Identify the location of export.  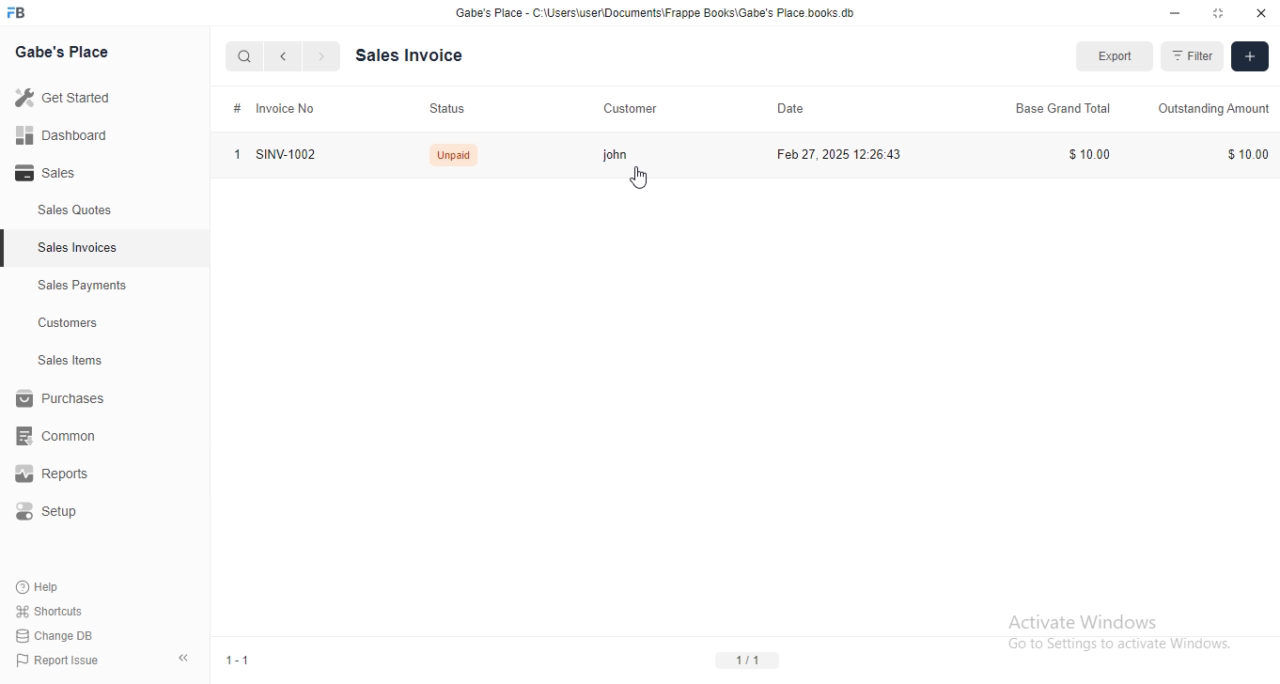
(1114, 57).